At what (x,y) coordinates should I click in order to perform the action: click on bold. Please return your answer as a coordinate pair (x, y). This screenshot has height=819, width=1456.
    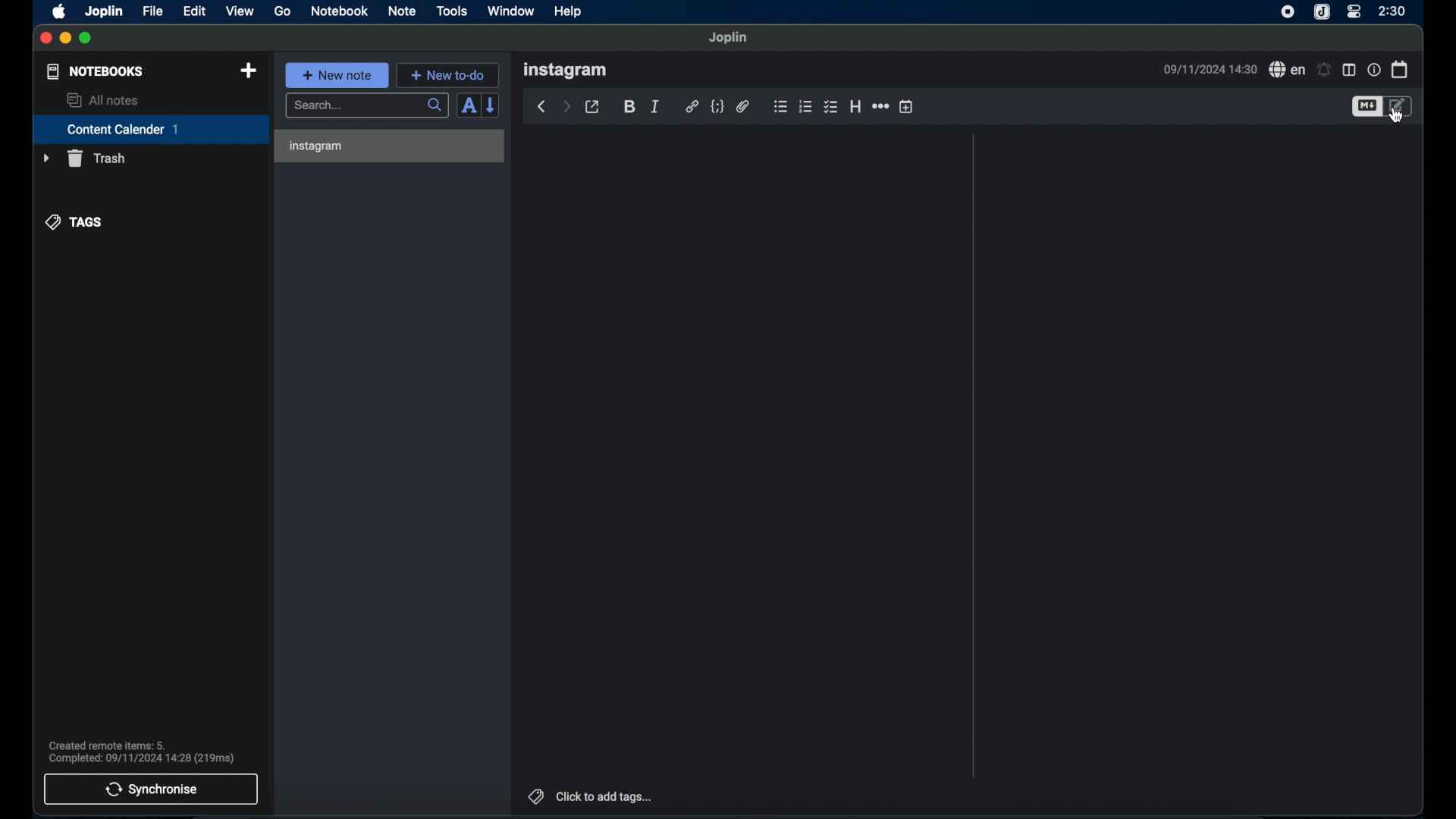
    Looking at the image, I should click on (628, 105).